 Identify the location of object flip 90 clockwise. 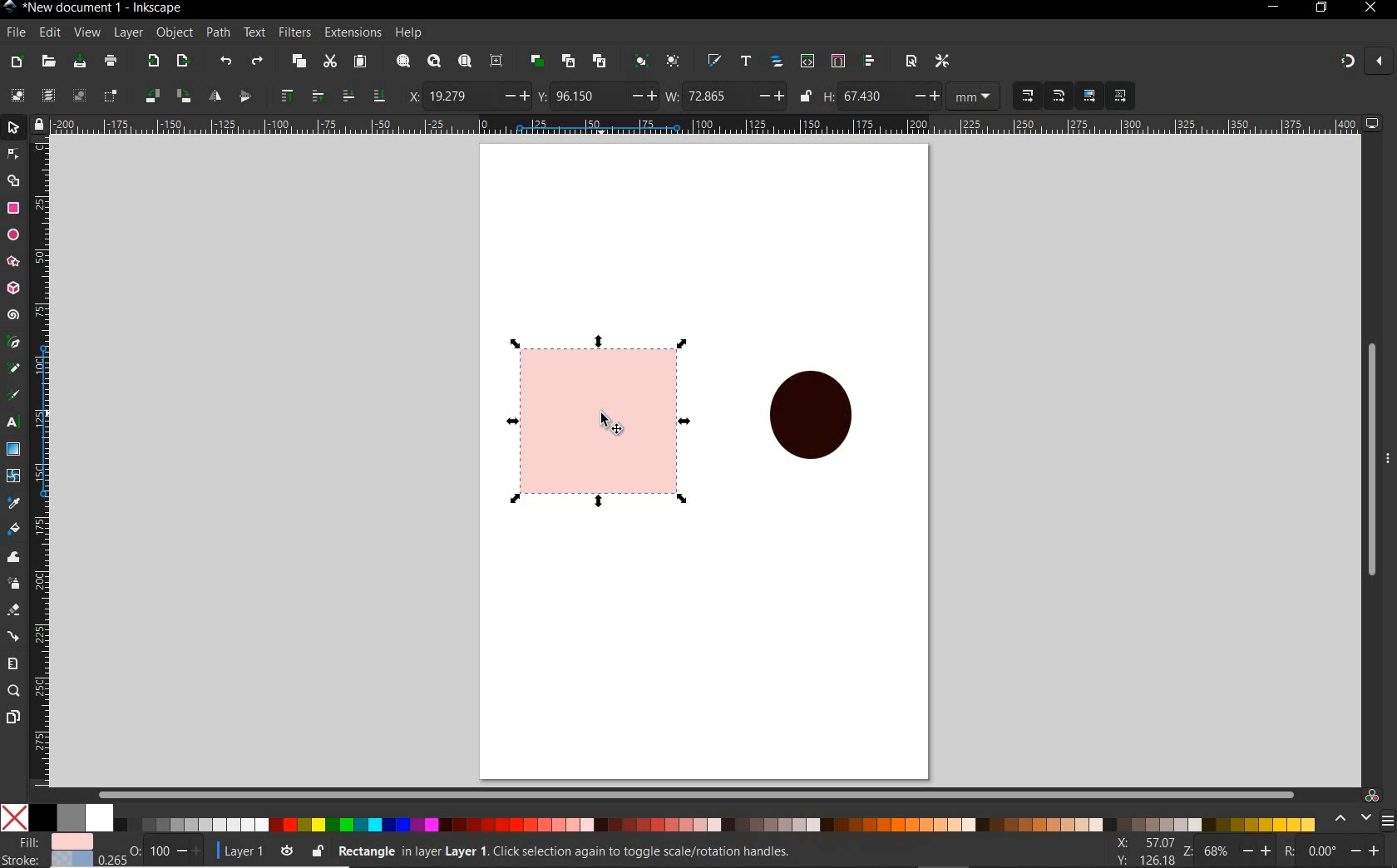
(165, 95).